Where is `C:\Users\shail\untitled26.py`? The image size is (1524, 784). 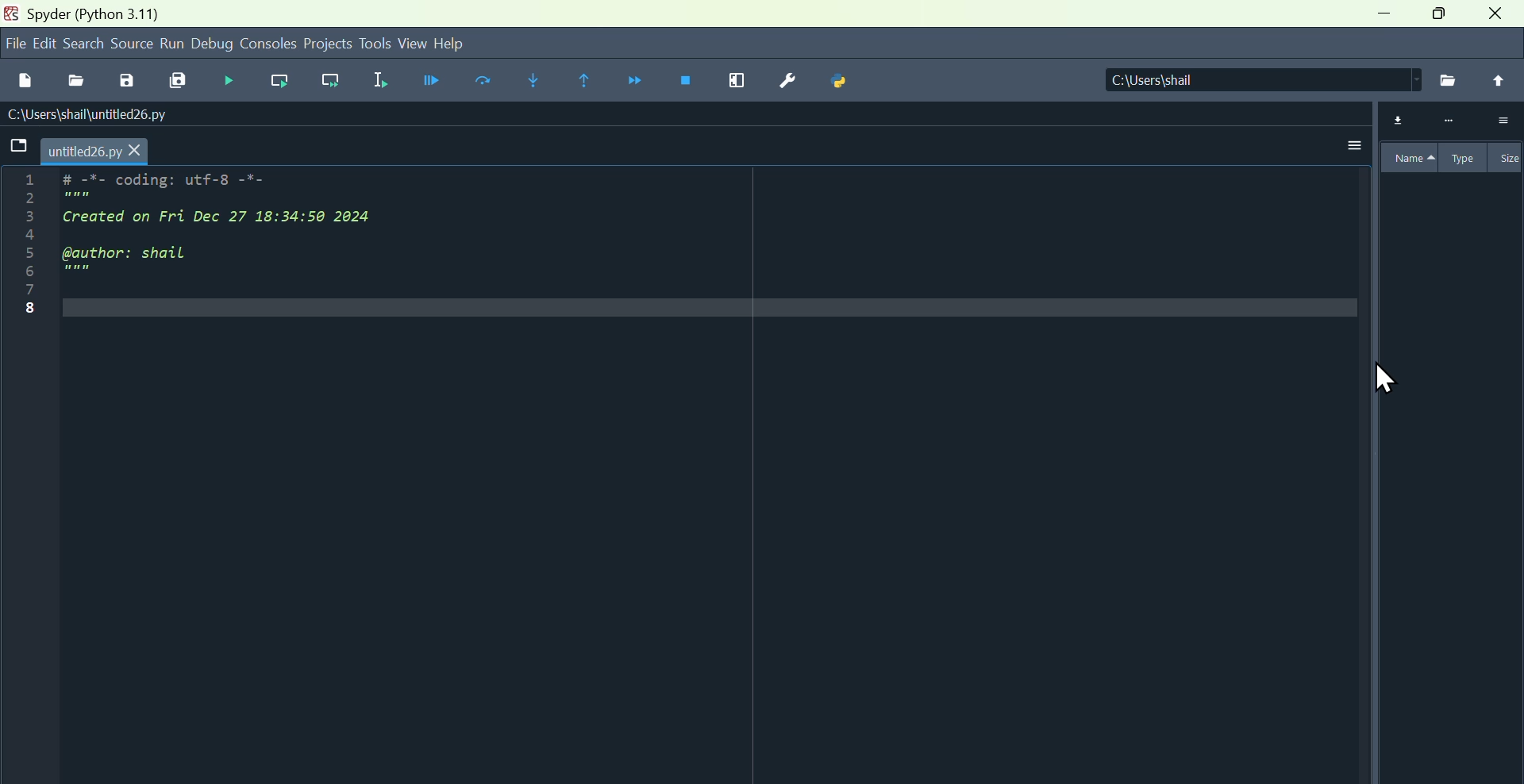
C:\Users\shail\untitled26.py is located at coordinates (103, 114).